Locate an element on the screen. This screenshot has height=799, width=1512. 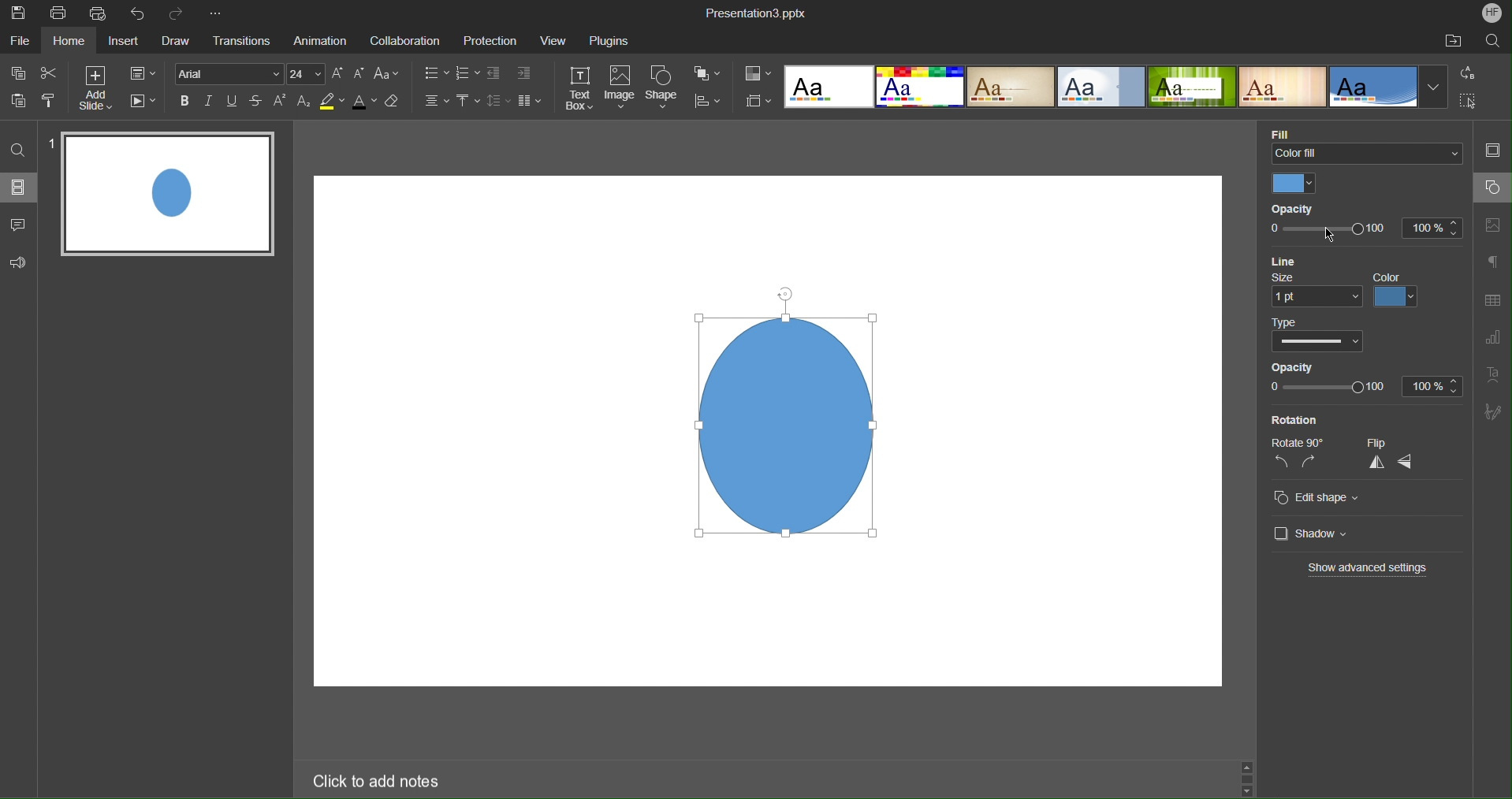
Cursor is located at coordinates (1331, 235).